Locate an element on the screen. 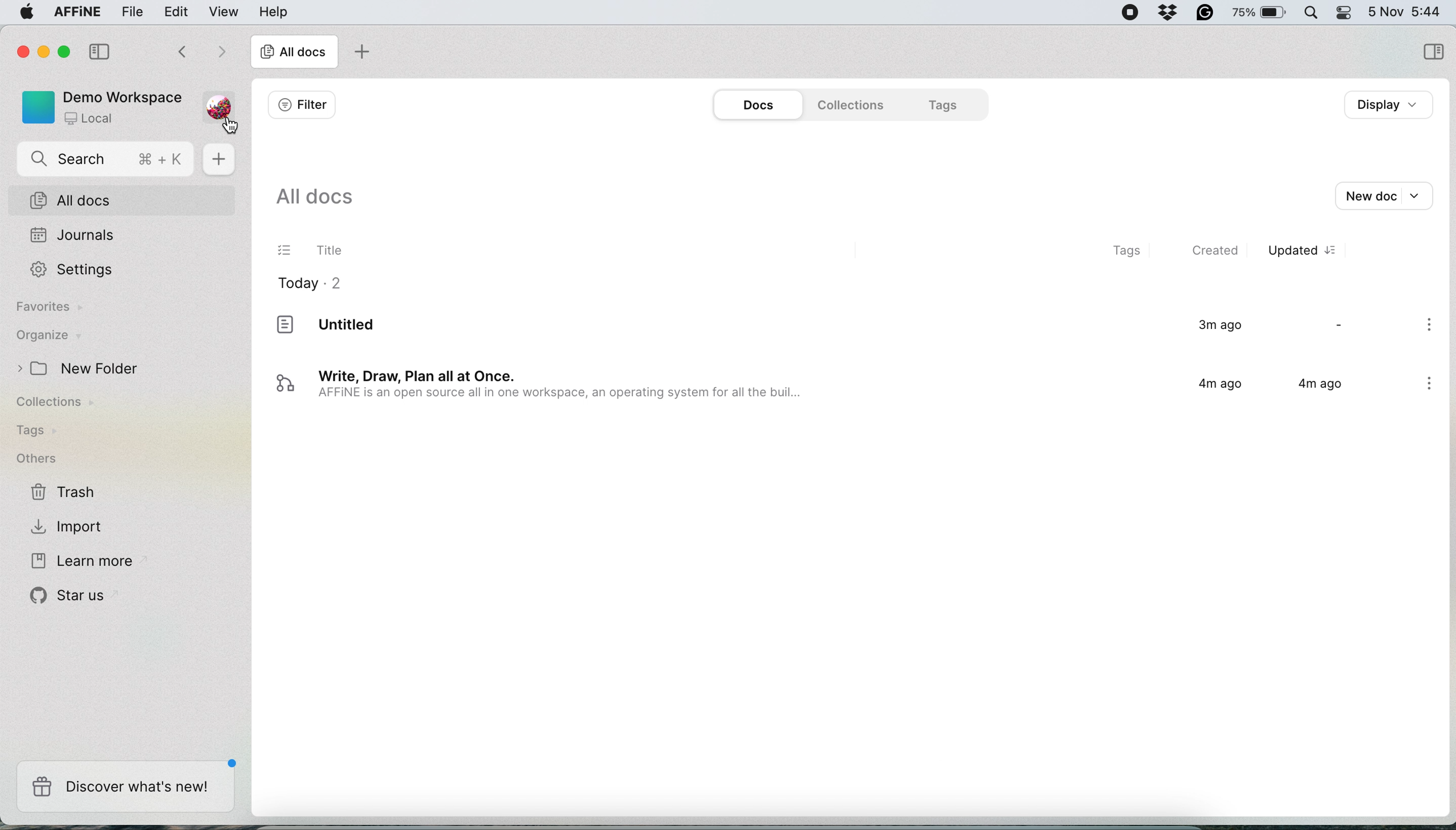  created is located at coordinates (1218, 251).